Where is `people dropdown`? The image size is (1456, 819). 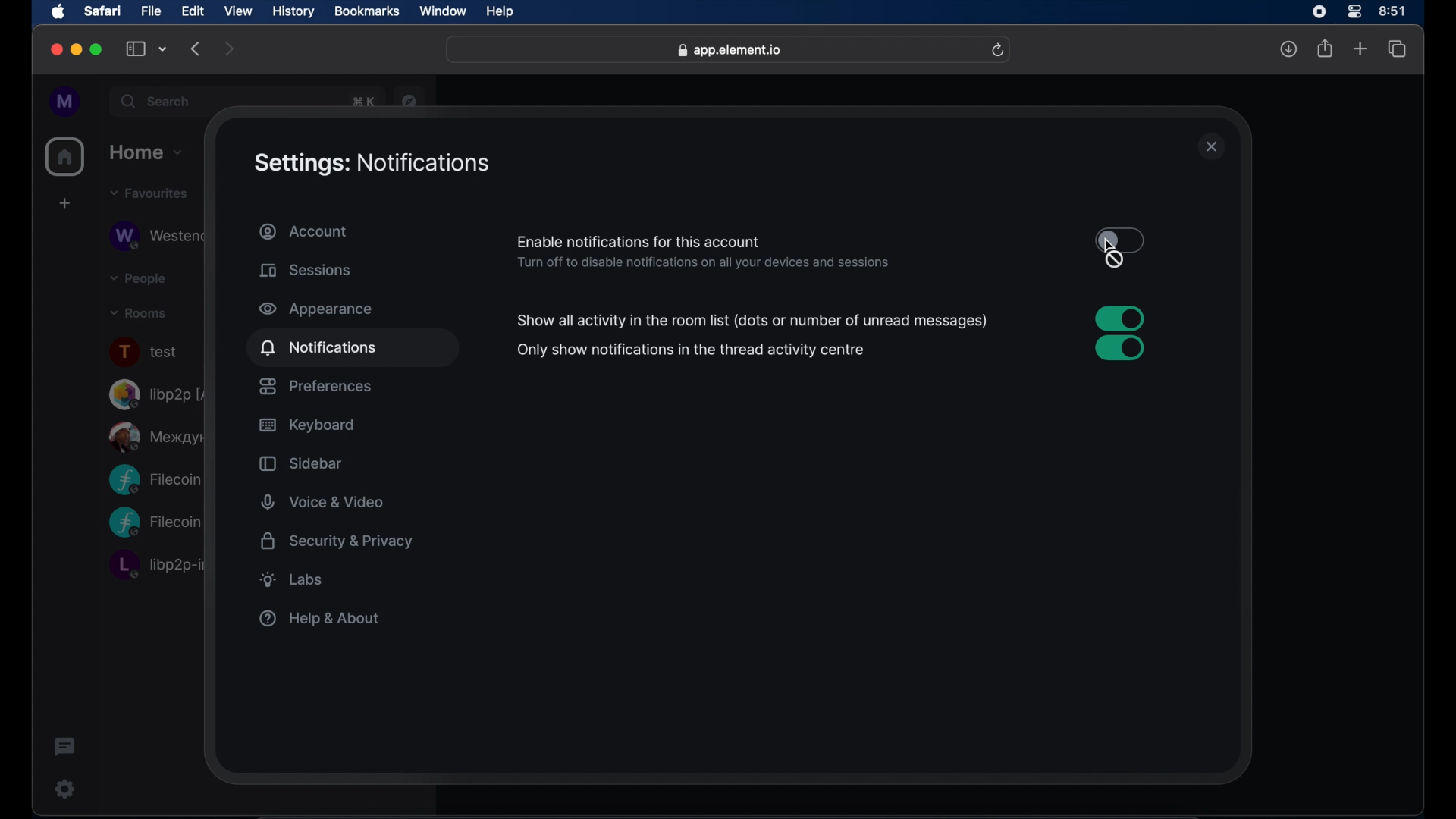
people dropdown is located at coordinates (136, 279).